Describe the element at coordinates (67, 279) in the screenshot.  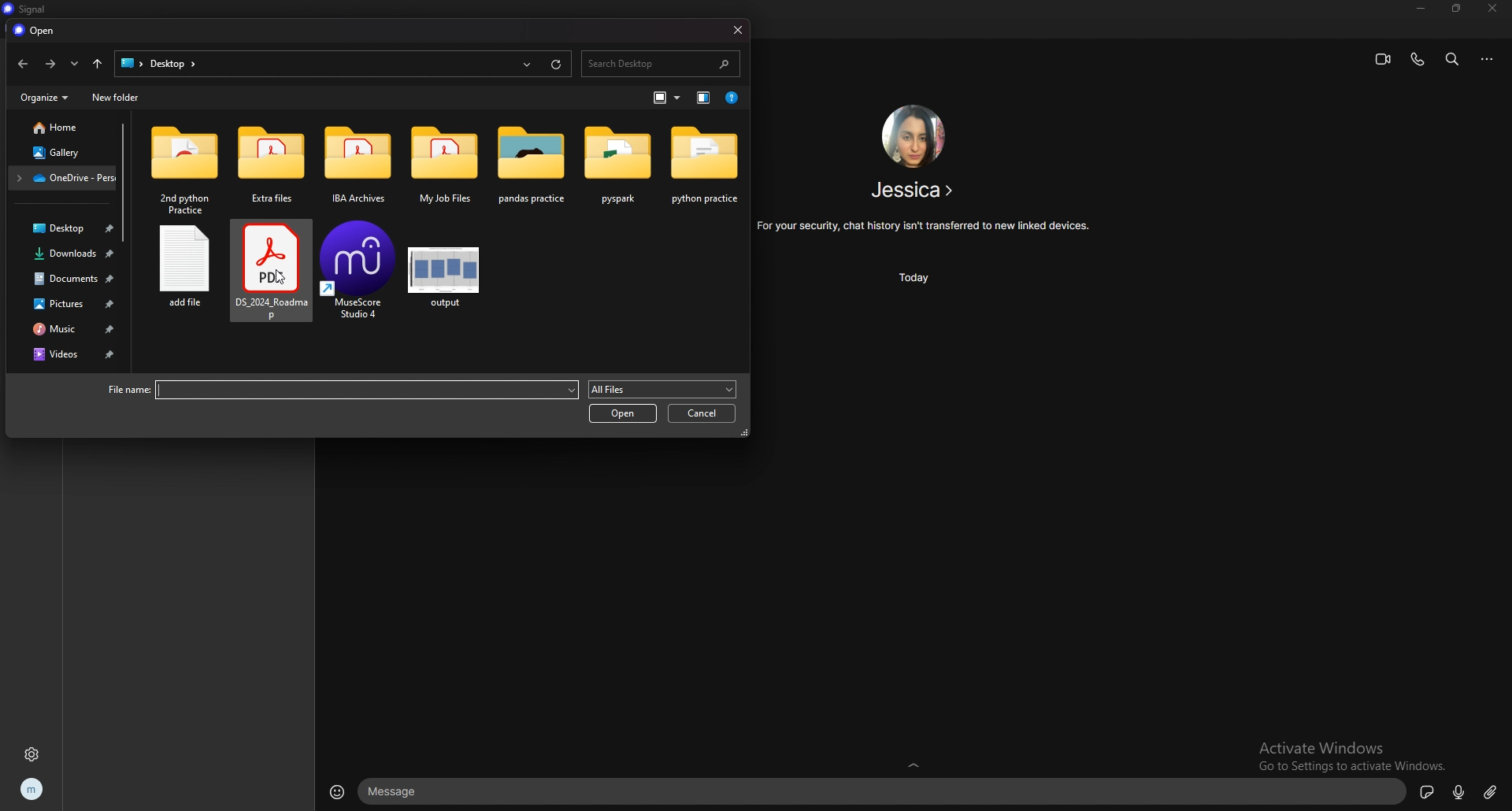
I see `documents` at that location.